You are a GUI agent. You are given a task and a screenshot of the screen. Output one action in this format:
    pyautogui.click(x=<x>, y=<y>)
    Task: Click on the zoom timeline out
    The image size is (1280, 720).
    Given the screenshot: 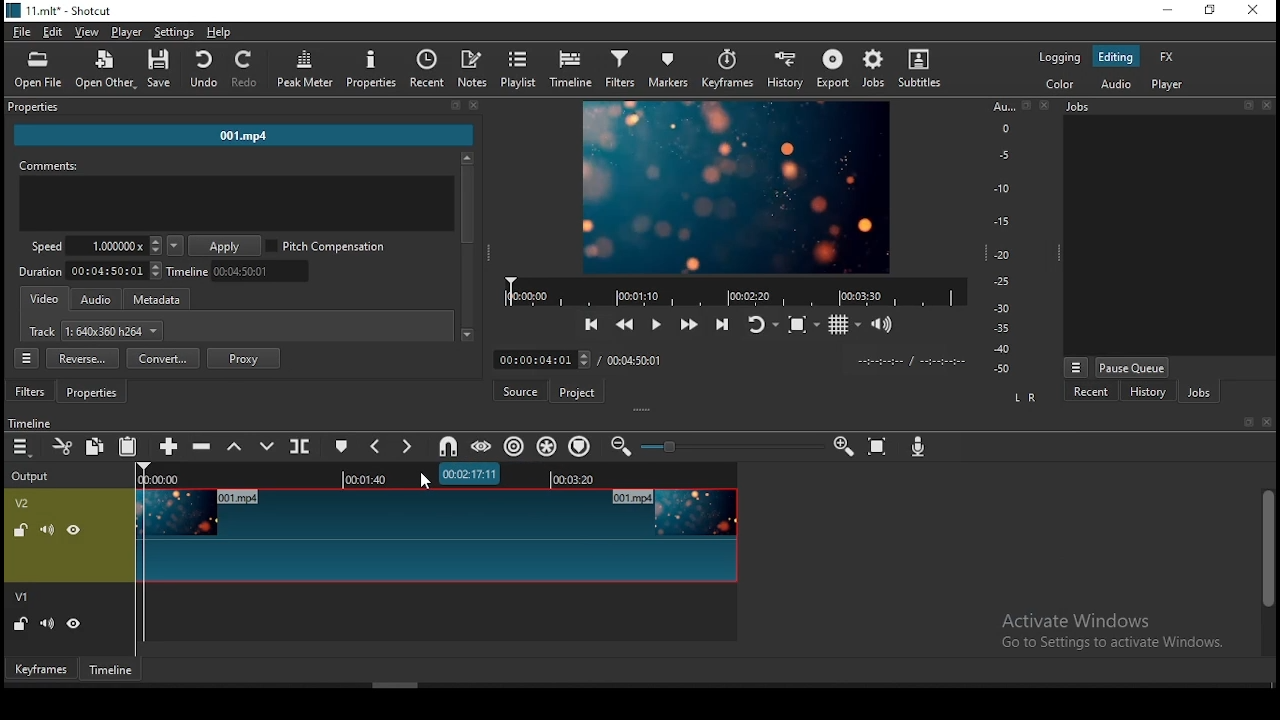 What is the action you would take?
    pyautogui.click(x=620, y=446)
    